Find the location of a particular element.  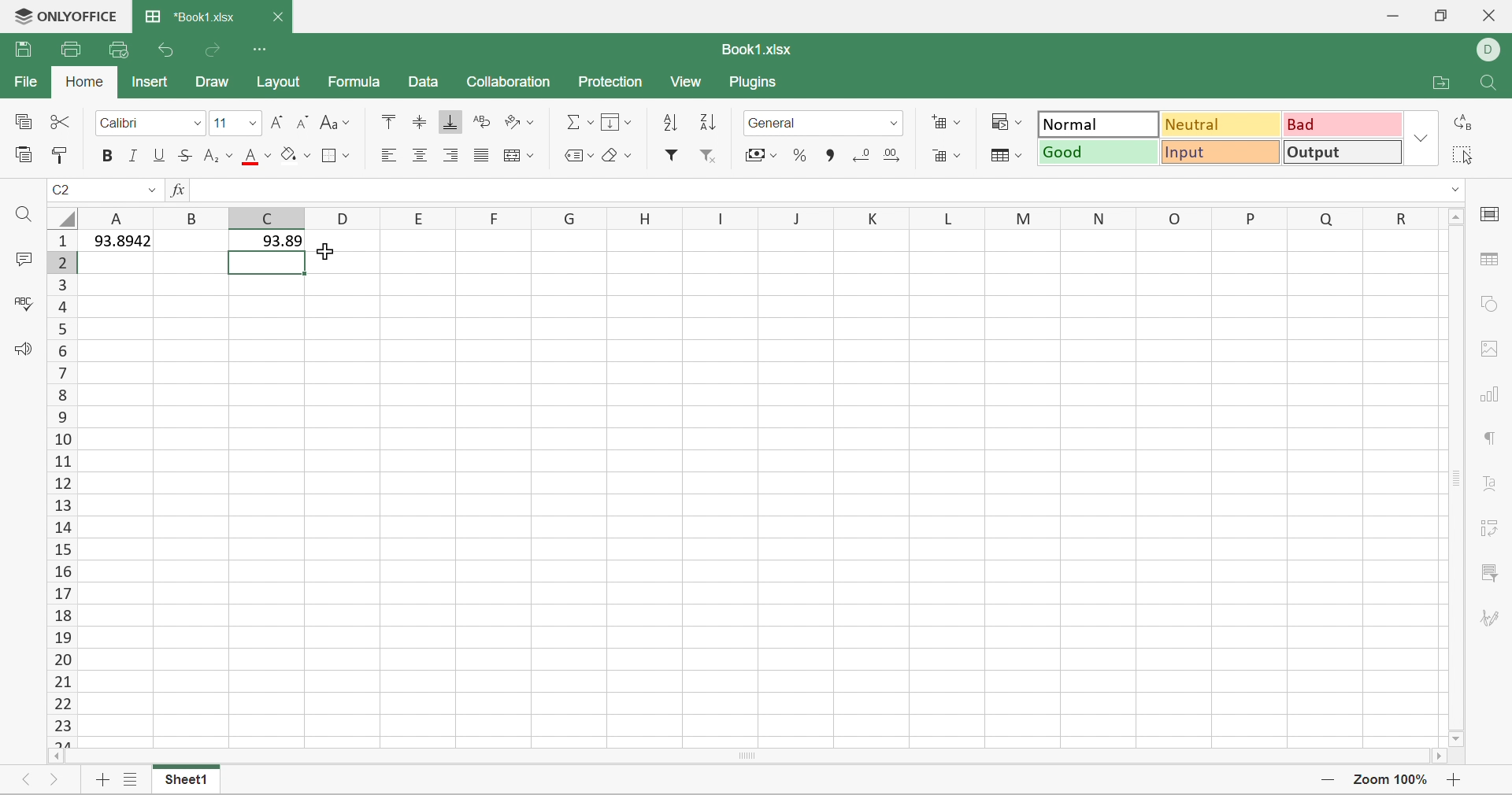

shape settings is located at coordinates (1489, 306).